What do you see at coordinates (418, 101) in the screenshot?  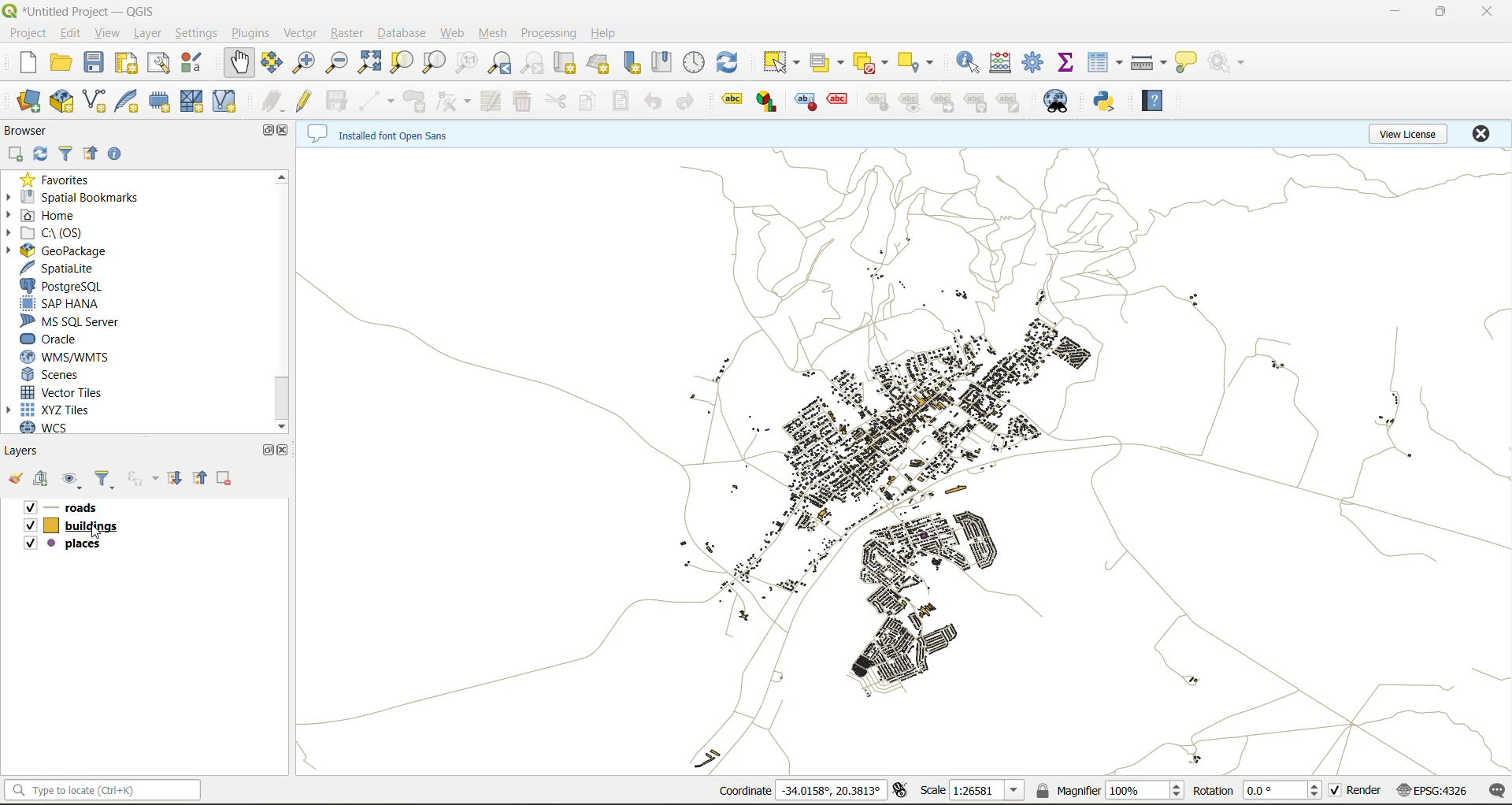 I see `add polygon` at bounding box center [418, 101].